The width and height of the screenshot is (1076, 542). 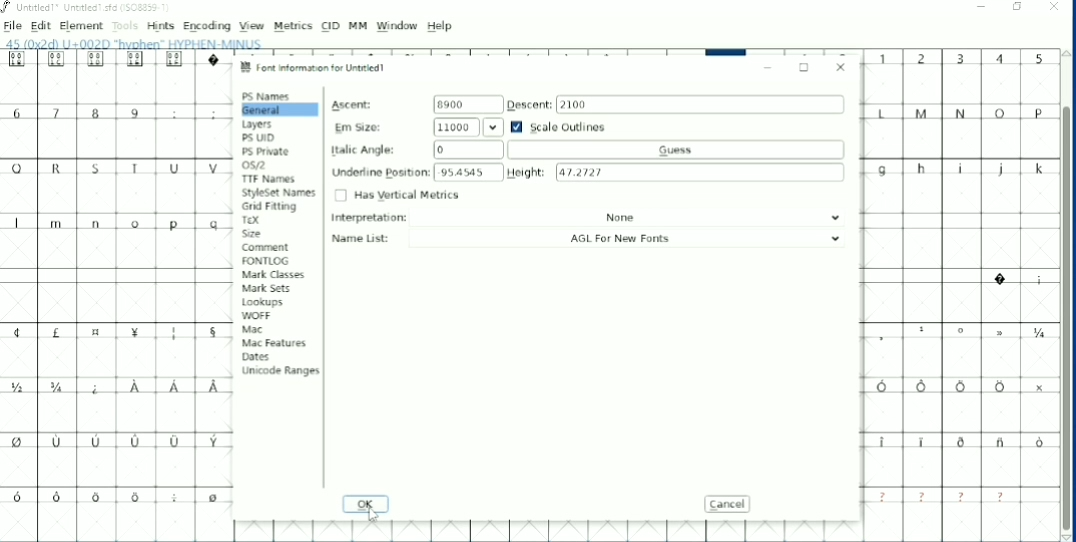 What do you see at coordinates (1019, 7) in the screenshot?
I see `Restore down` at bounding box center [1019, 7].